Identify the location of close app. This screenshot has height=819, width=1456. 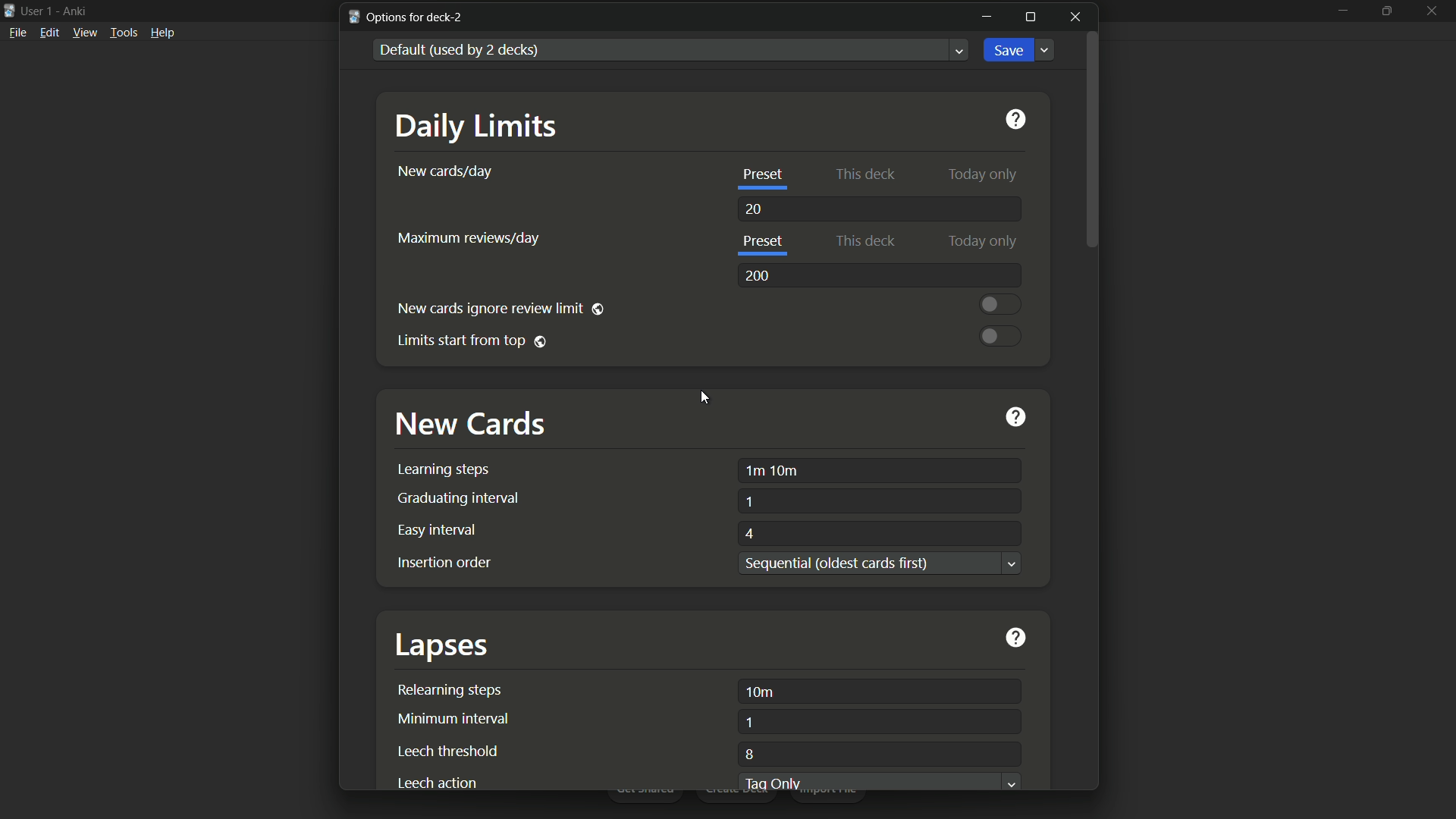
(1436, 10).